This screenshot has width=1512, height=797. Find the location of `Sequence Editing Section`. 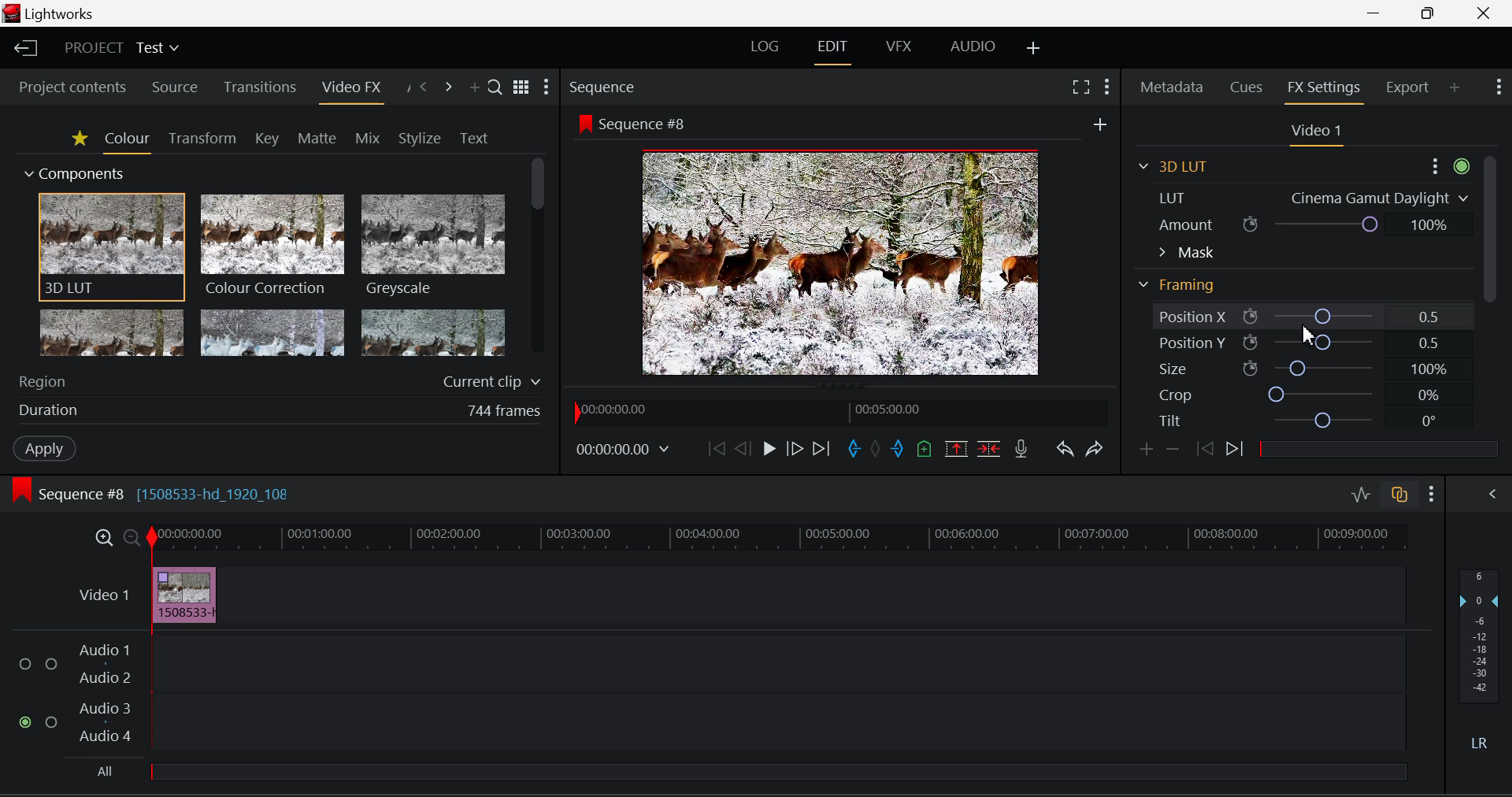

Sequence Editing Section is located at coordinates (157, 495).